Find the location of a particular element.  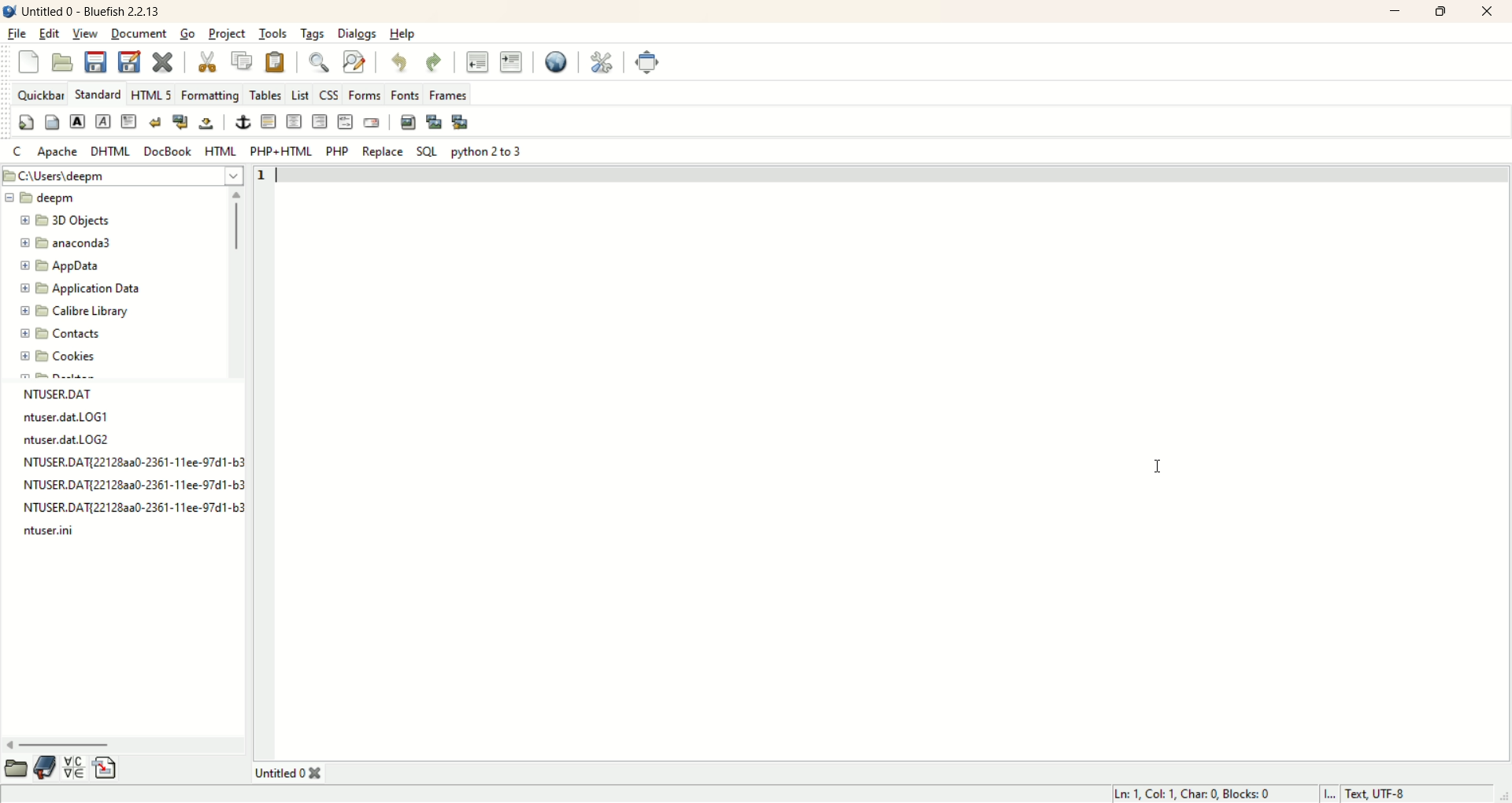

replace is located at coordinates (383, 151).